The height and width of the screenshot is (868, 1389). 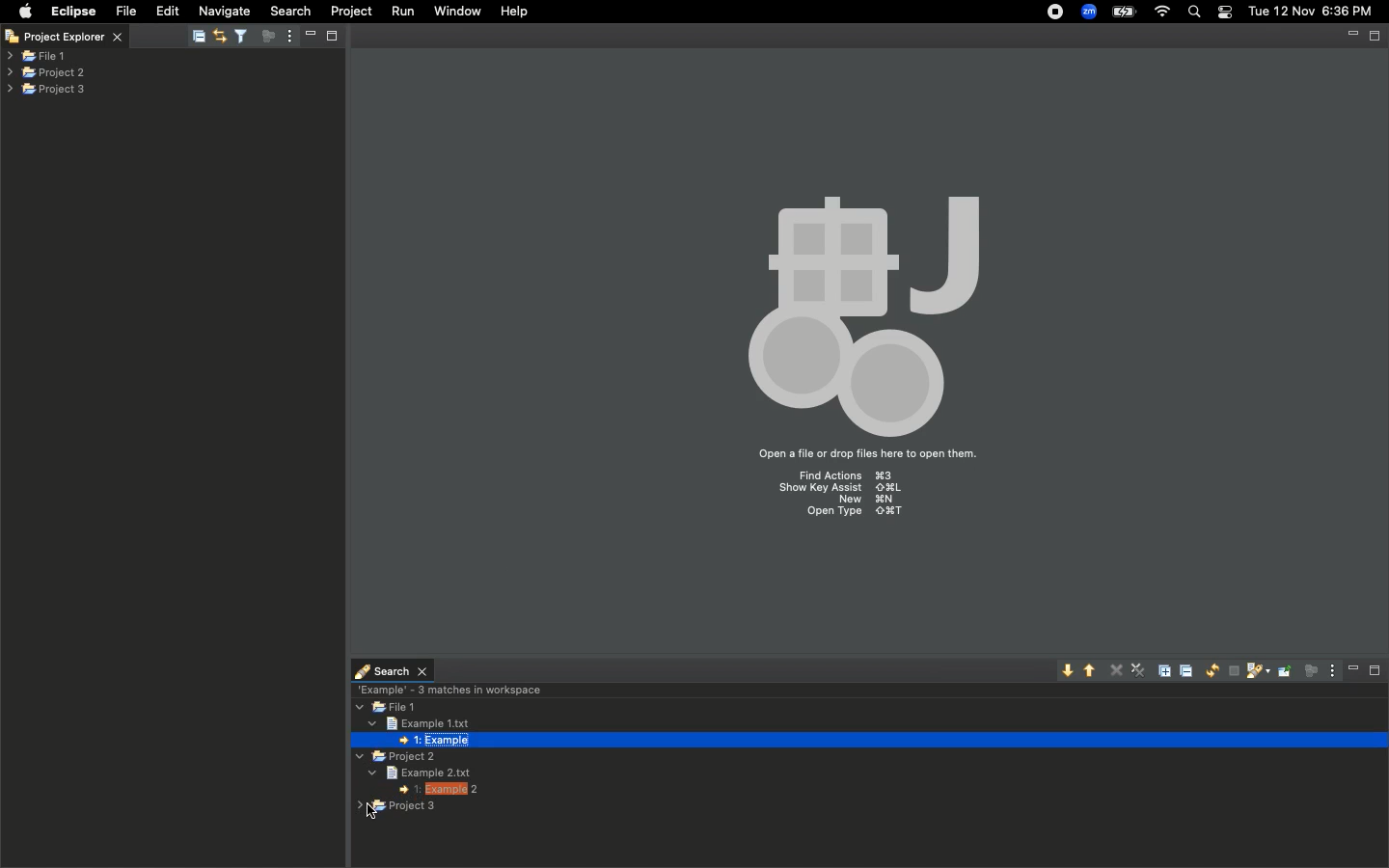 What do you see at coordinates (858, 307) in the screenshot?
I see `Icon` at bounding box center [858, 307].